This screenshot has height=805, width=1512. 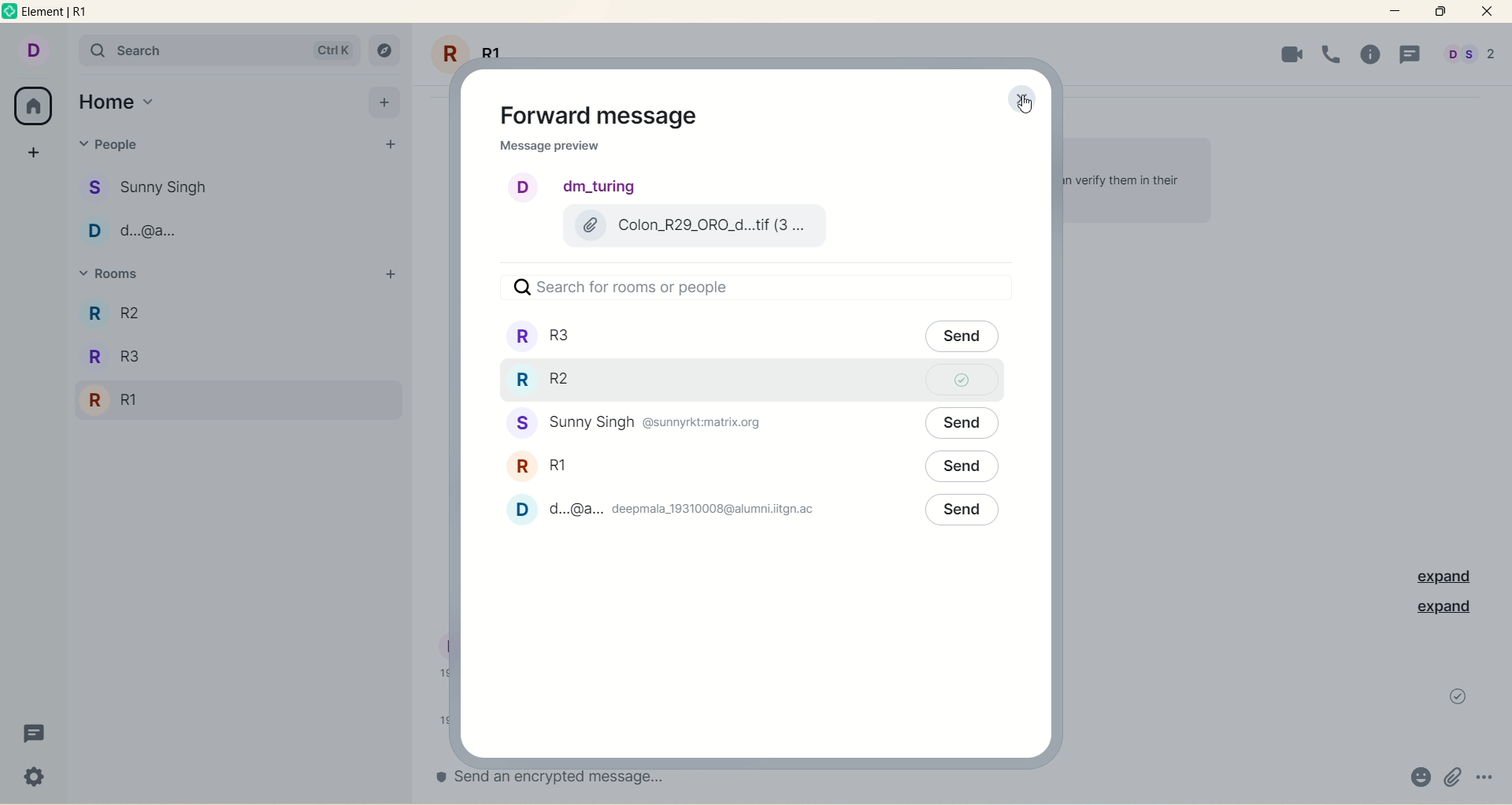 I want to click on search, so click(x=745, y=288).